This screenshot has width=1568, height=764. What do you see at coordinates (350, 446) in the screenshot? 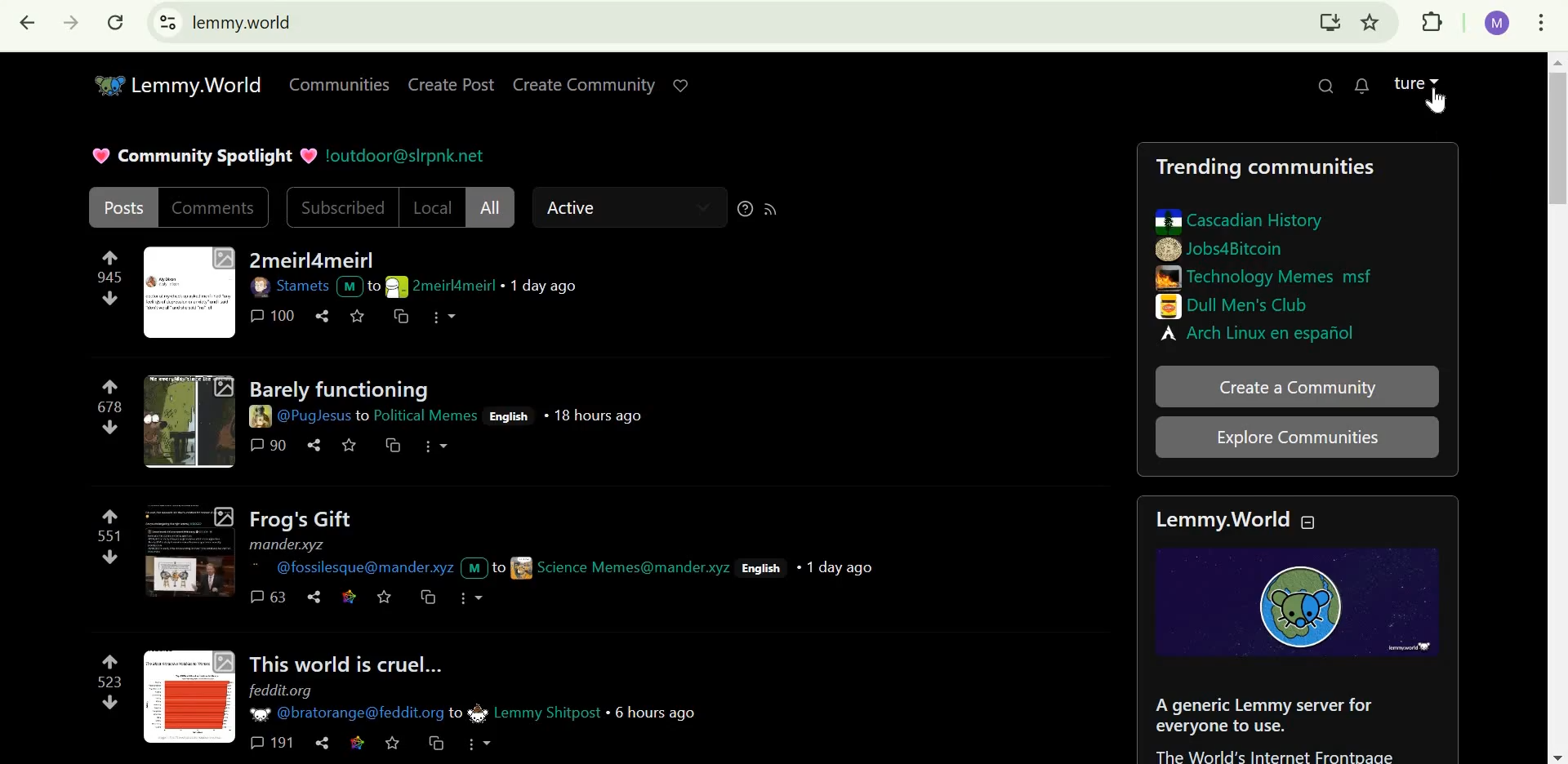
I see `save` at bounding box center [350, 446].